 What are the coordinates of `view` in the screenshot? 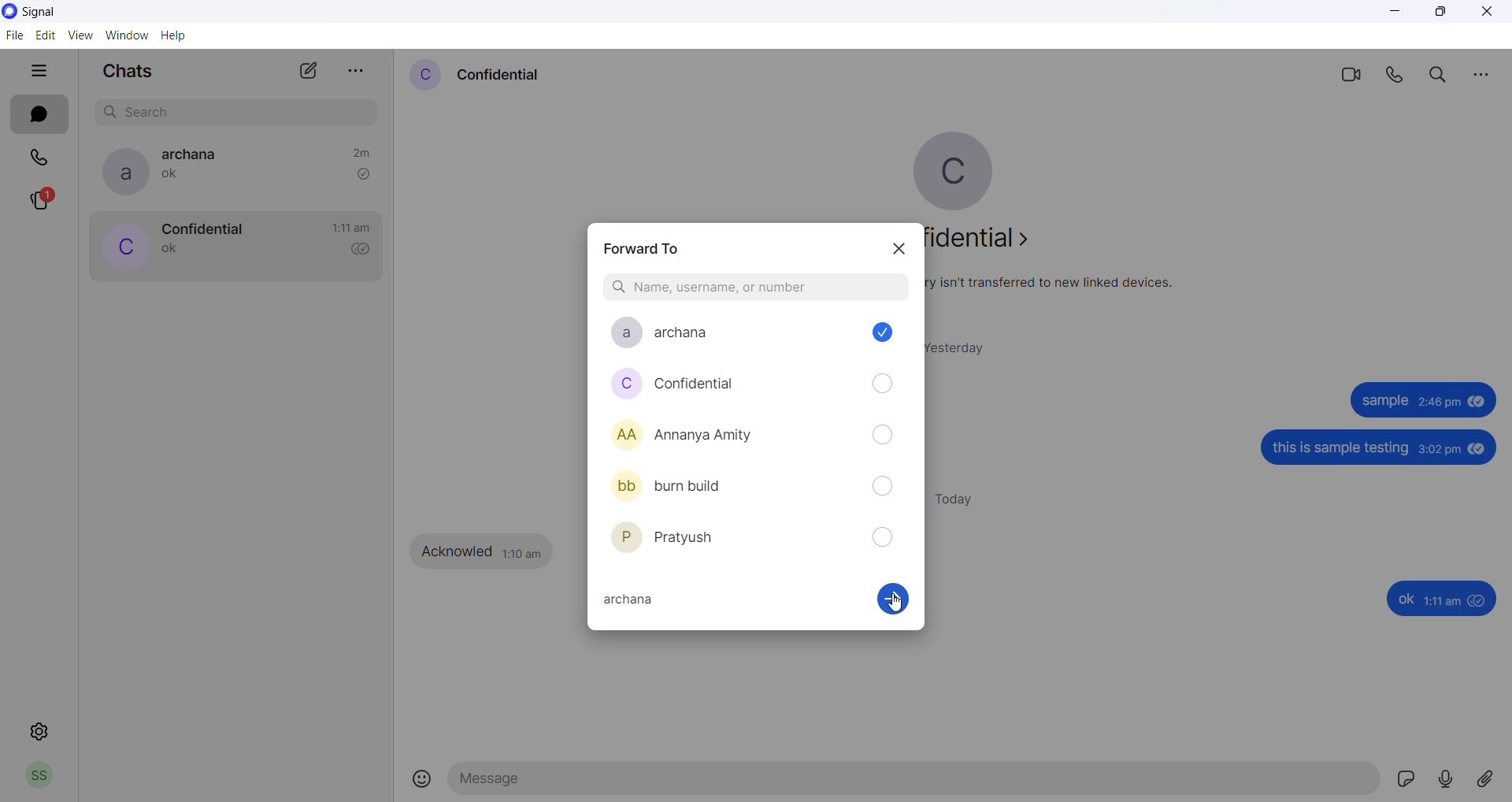 It's located at (82, 36).